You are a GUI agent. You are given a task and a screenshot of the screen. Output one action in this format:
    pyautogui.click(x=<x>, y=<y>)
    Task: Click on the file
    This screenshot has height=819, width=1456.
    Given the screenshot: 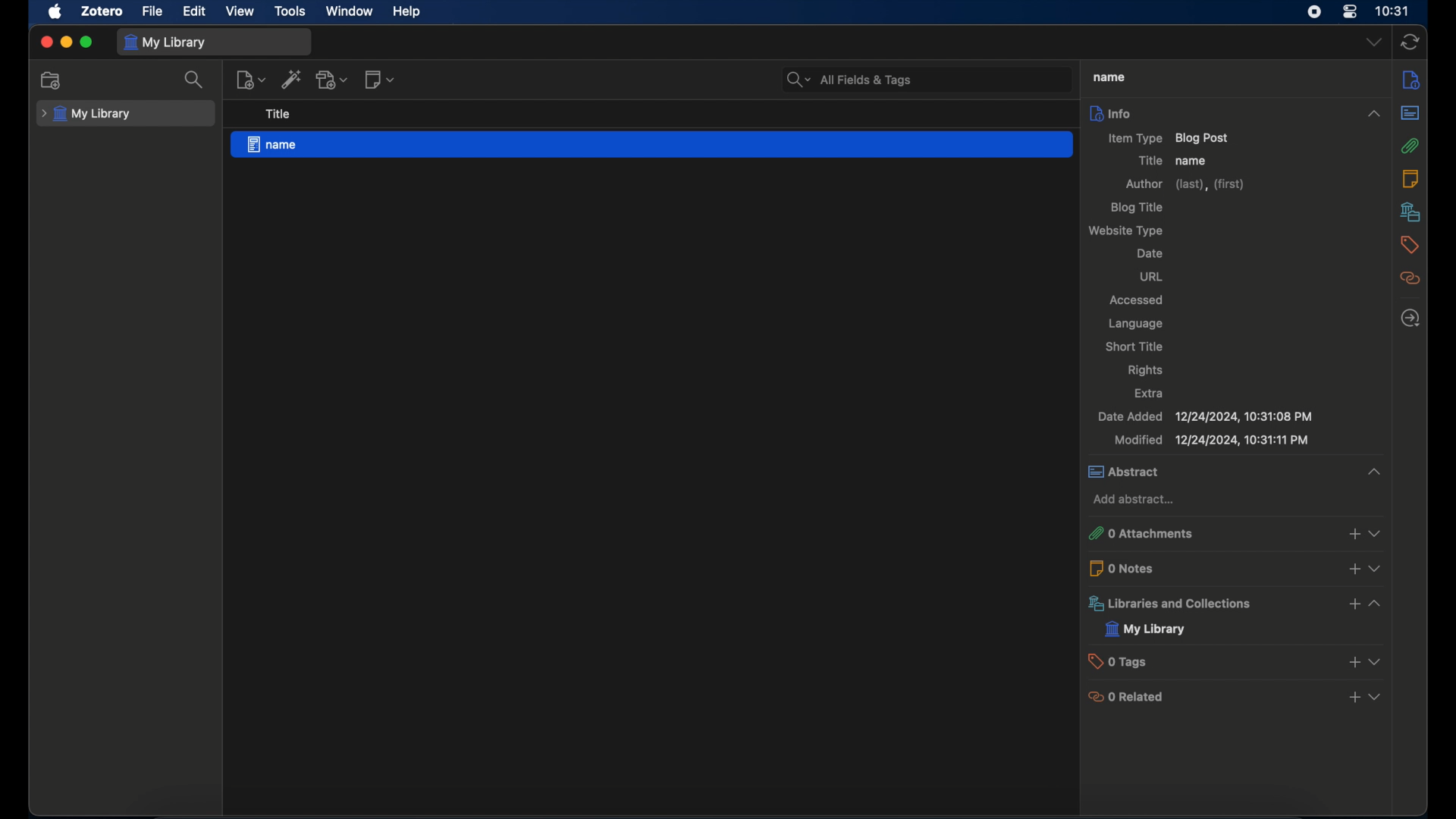 What is the action you would take?
    pyautogui.click(x=152, y=11)
    